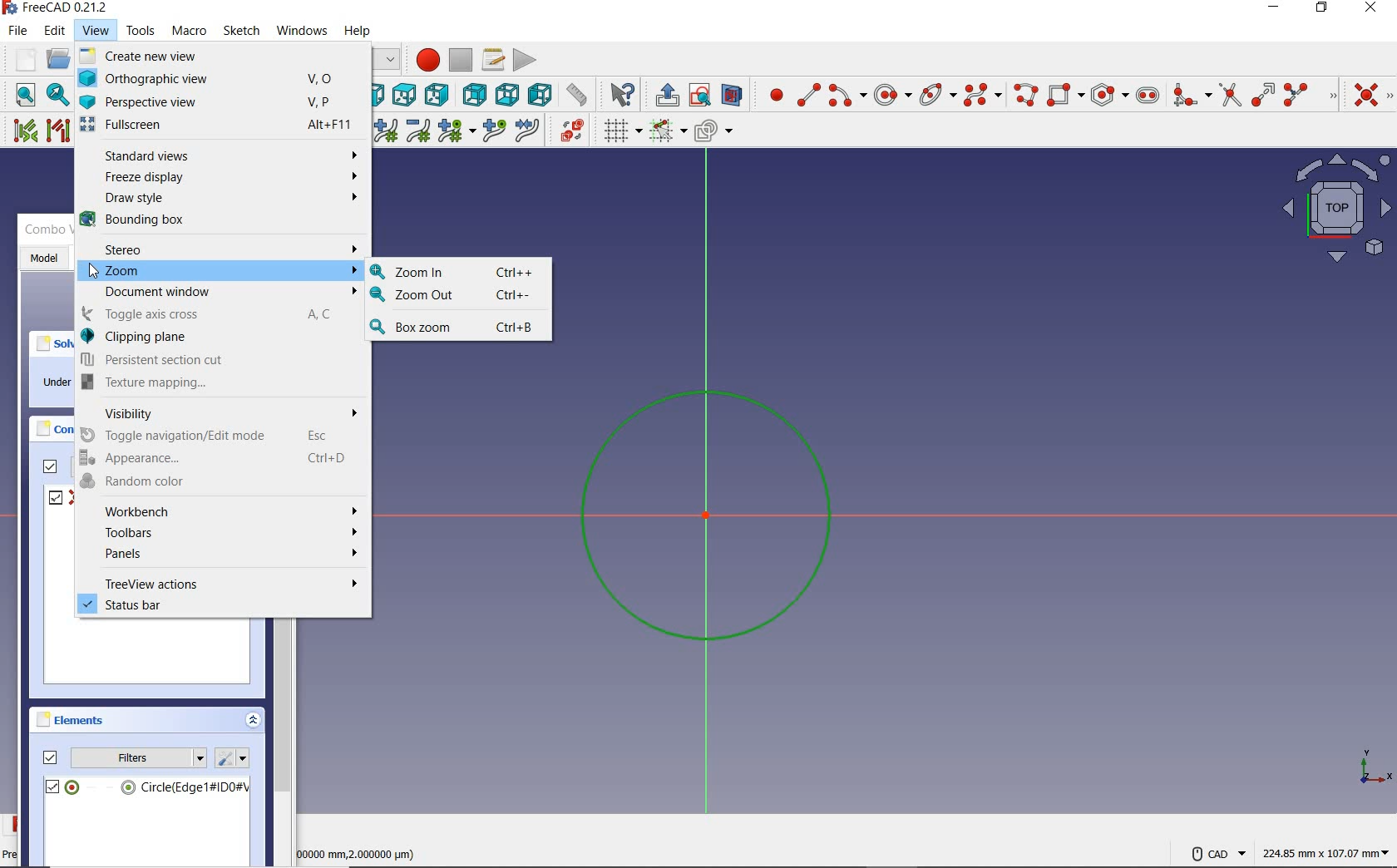 The height and width of the screenshot is (868, 1397). What do you see at coordinates (1323, 8) in the screenshot?
I see `restore` at bounding box center [1323, 8].